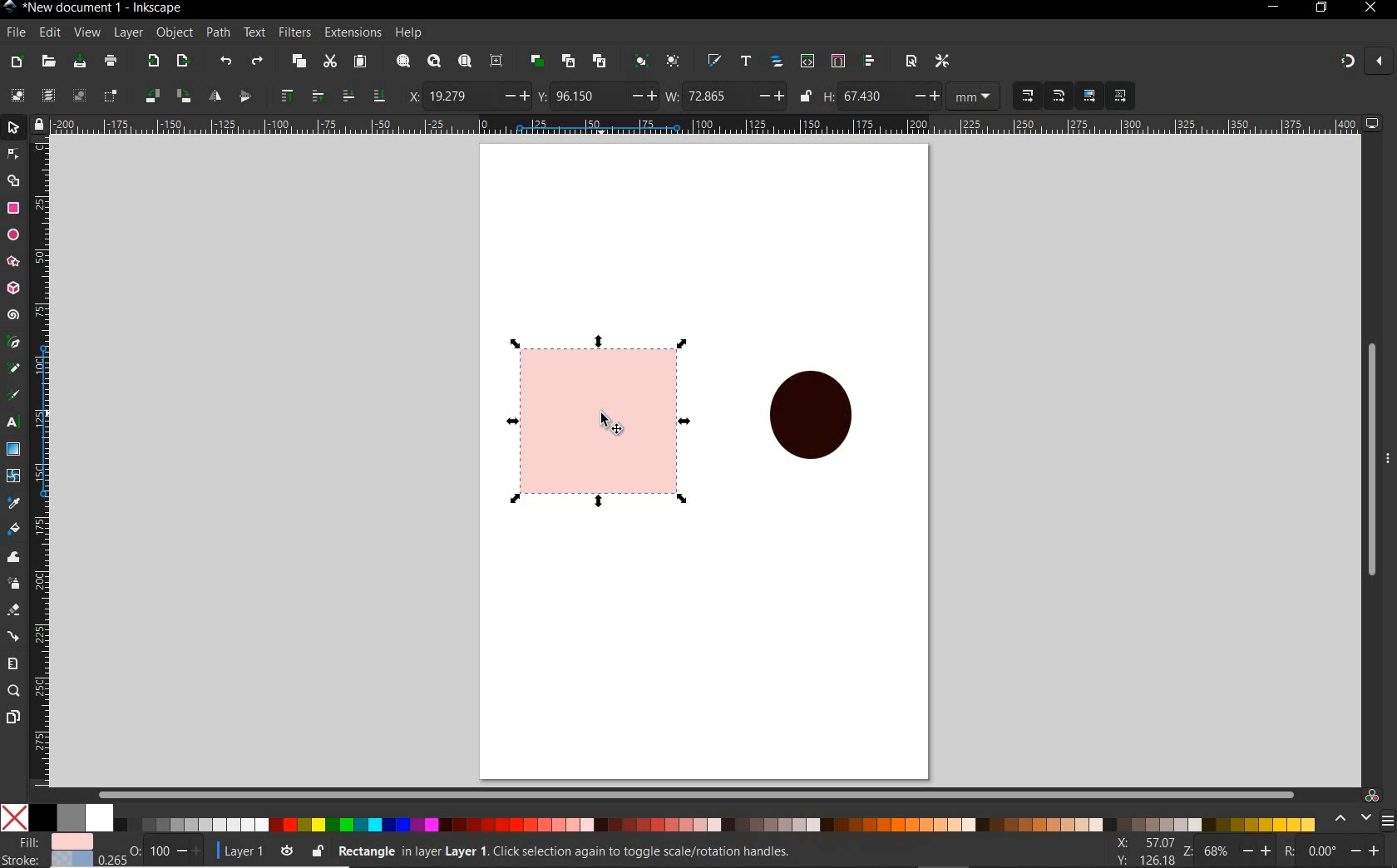  What do you see at coordinates (14, 126) in the screenshot?
I see `select tool` at bounding box center [14, 126].